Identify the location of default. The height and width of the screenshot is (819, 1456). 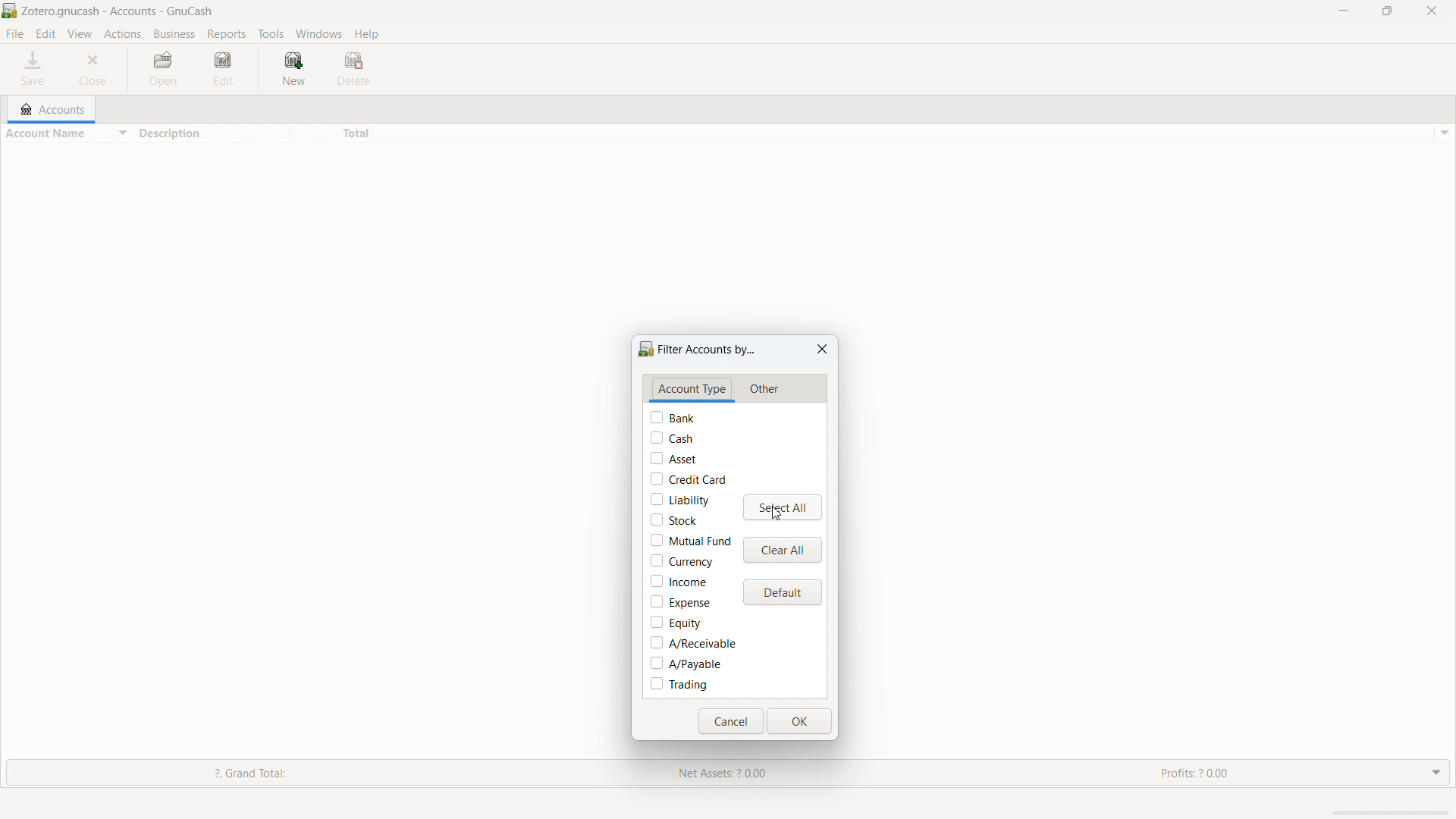
(782, 592).